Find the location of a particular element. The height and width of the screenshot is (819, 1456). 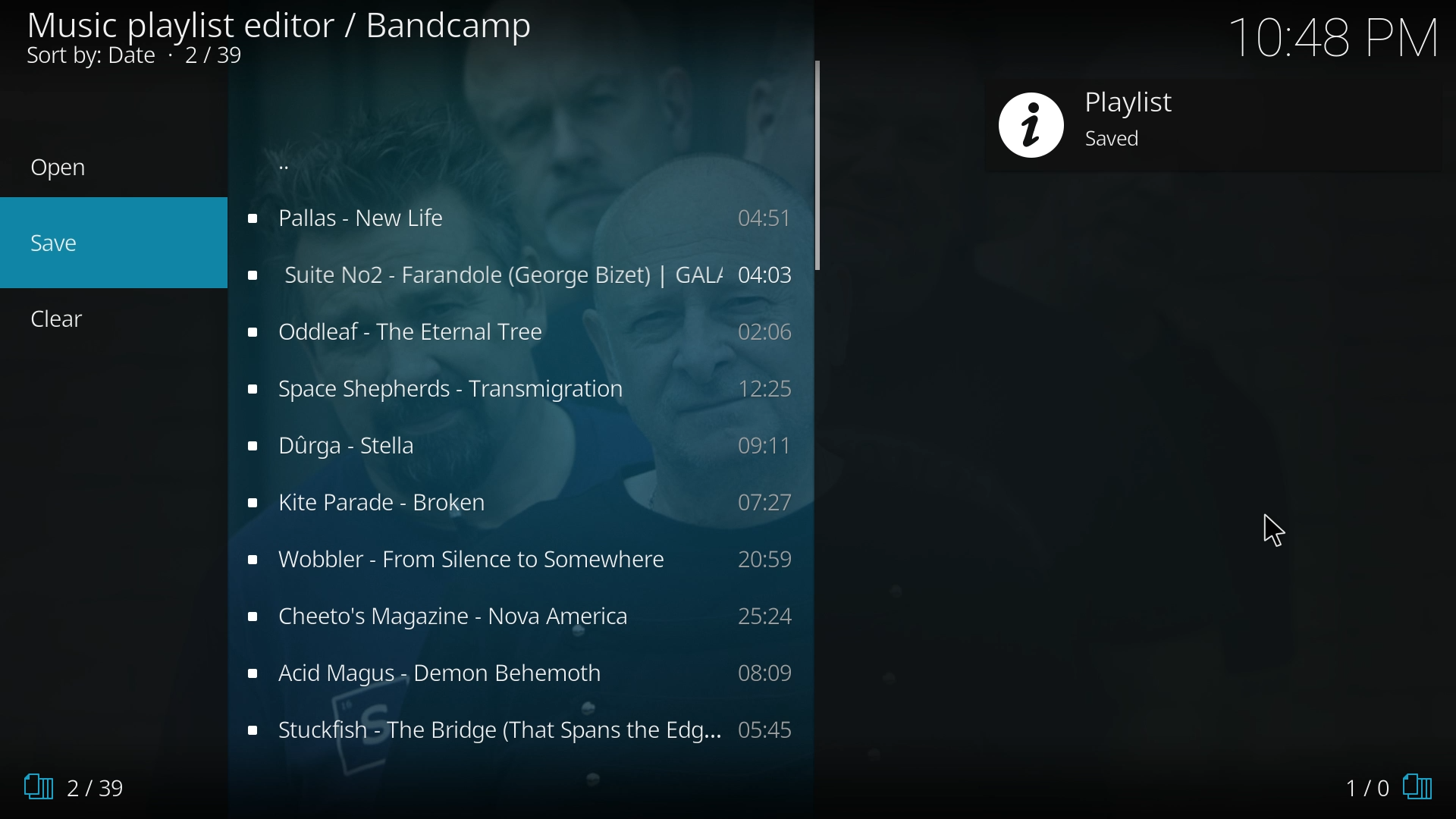

save is located at coordinates (105, 245).